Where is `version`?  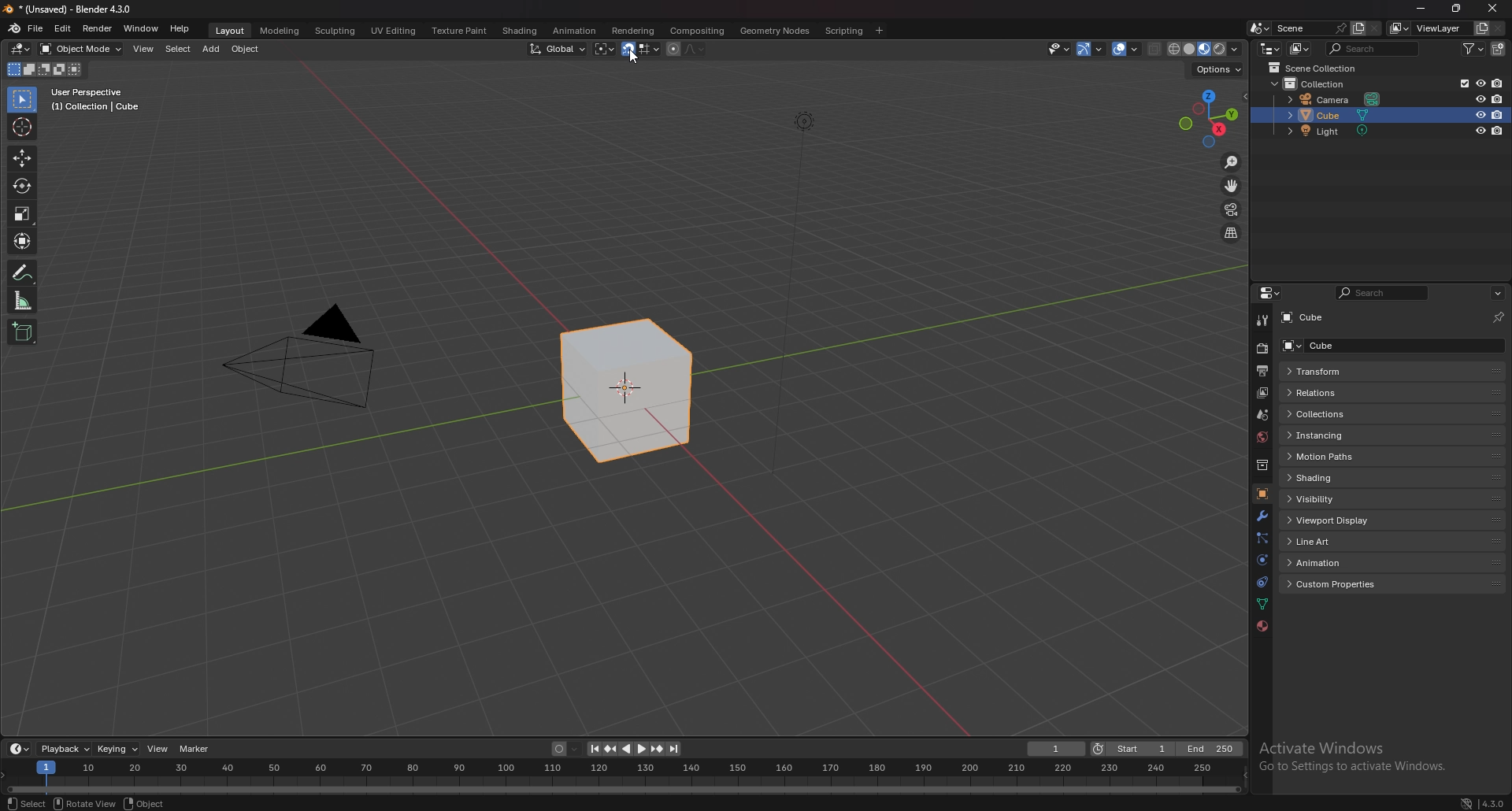
version is located at coordinates (1493, 802).